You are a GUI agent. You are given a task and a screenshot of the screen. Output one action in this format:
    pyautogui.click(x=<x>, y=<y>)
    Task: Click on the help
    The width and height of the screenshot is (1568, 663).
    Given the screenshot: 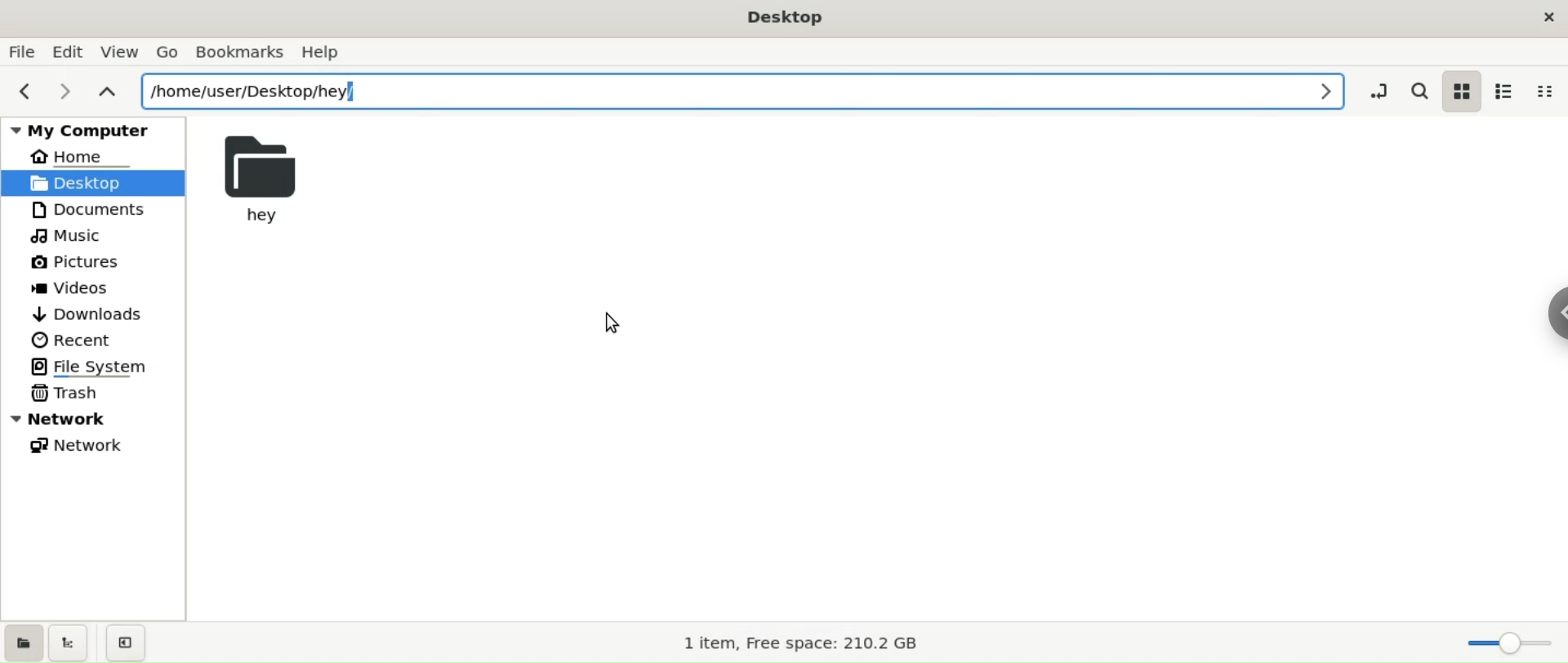 What is the action you would take?
    pyautogui.click(x=329, y=54)
    